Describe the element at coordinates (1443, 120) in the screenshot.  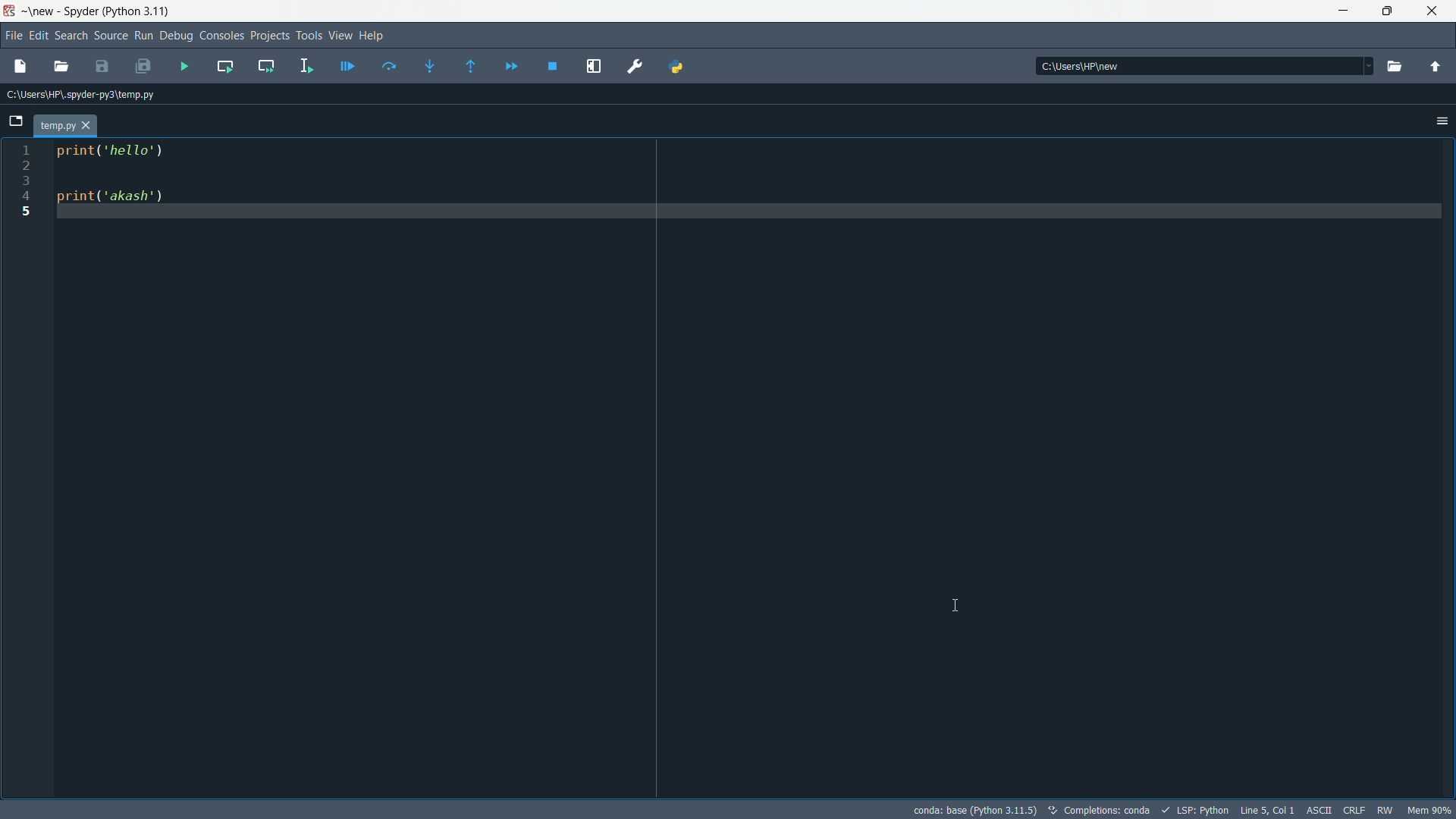
I see `options` at that location.